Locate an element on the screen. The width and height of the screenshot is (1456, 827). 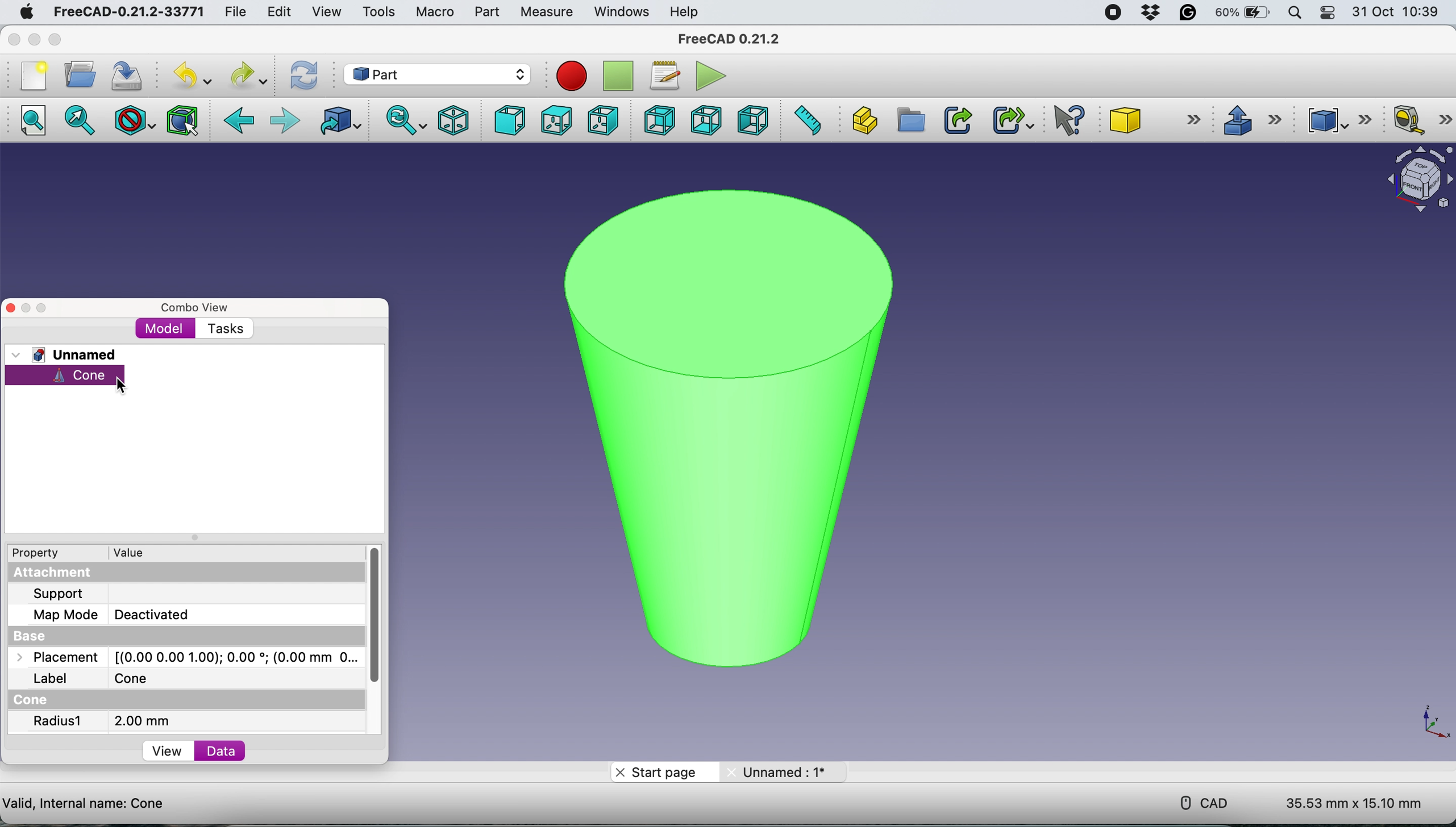
control center is located at coordinates (1329, 14).